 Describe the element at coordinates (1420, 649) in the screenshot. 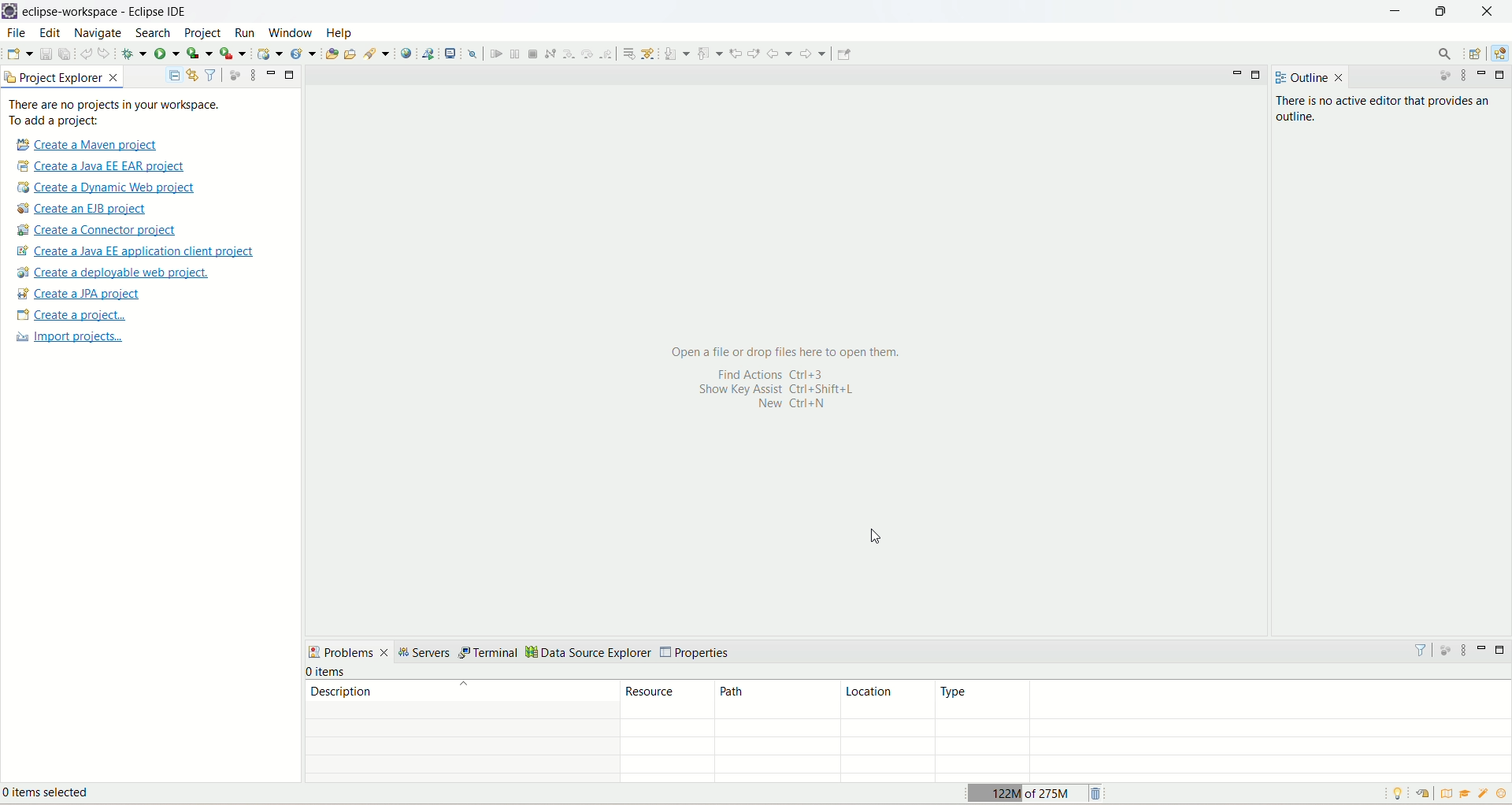

I see `filters` at that location.